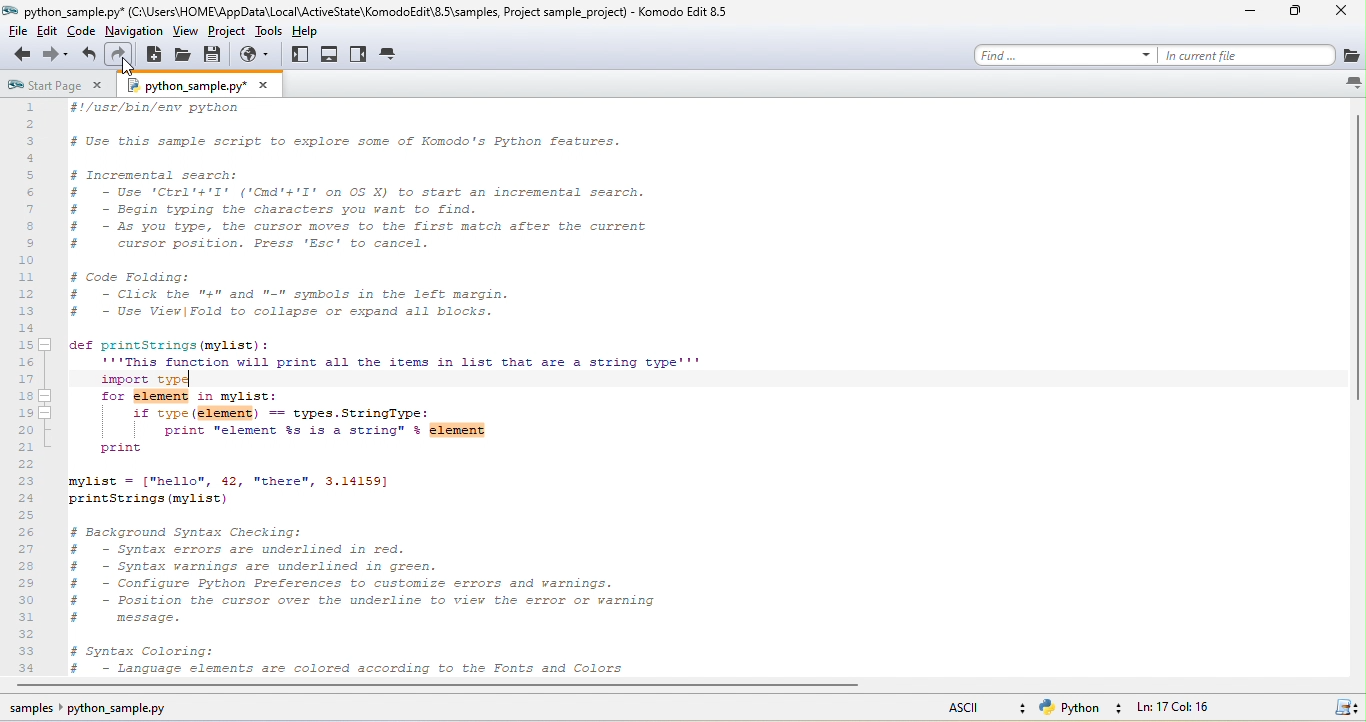 The height and width of the screenshot is (722, 1366). Describe the element at coordinates (104, 709) in the screenshot. I see `file path` at that location.